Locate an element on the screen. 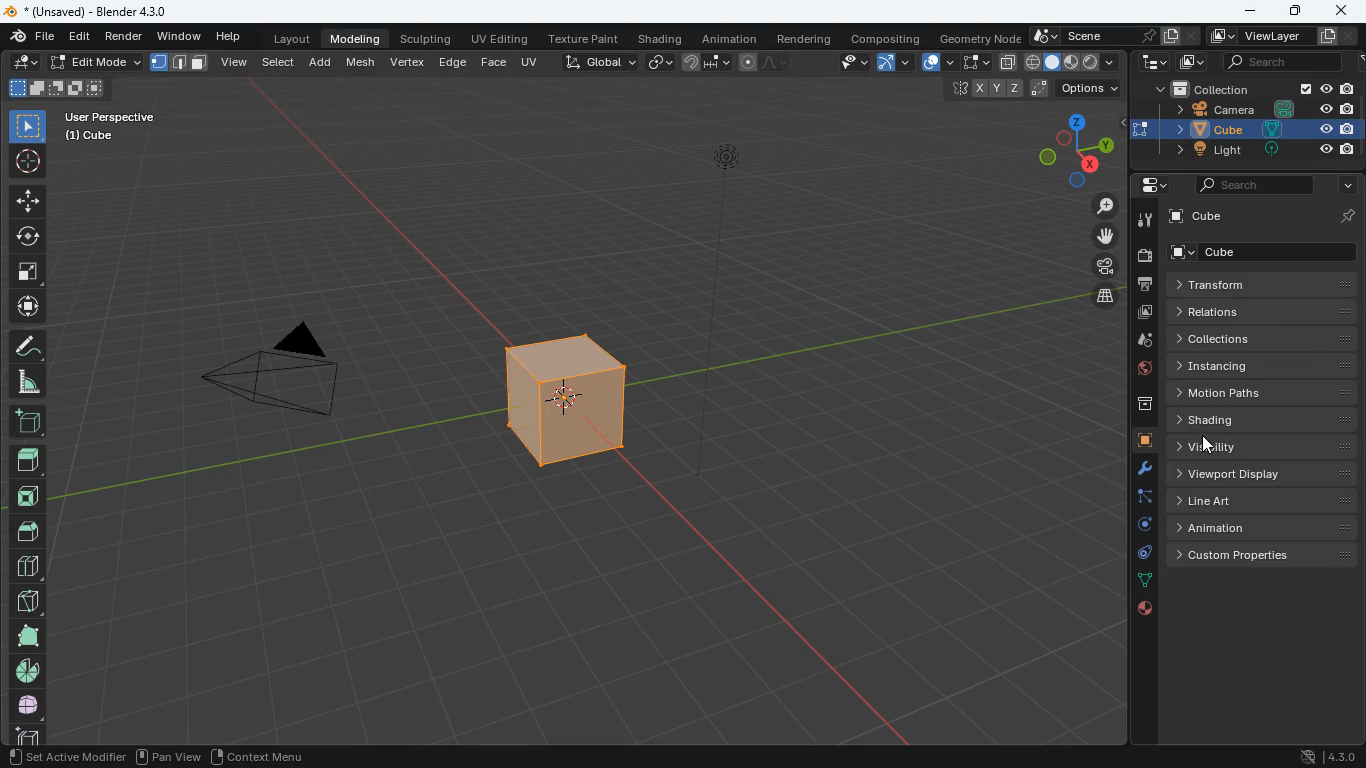  arc is located at coordinates (893, 65).